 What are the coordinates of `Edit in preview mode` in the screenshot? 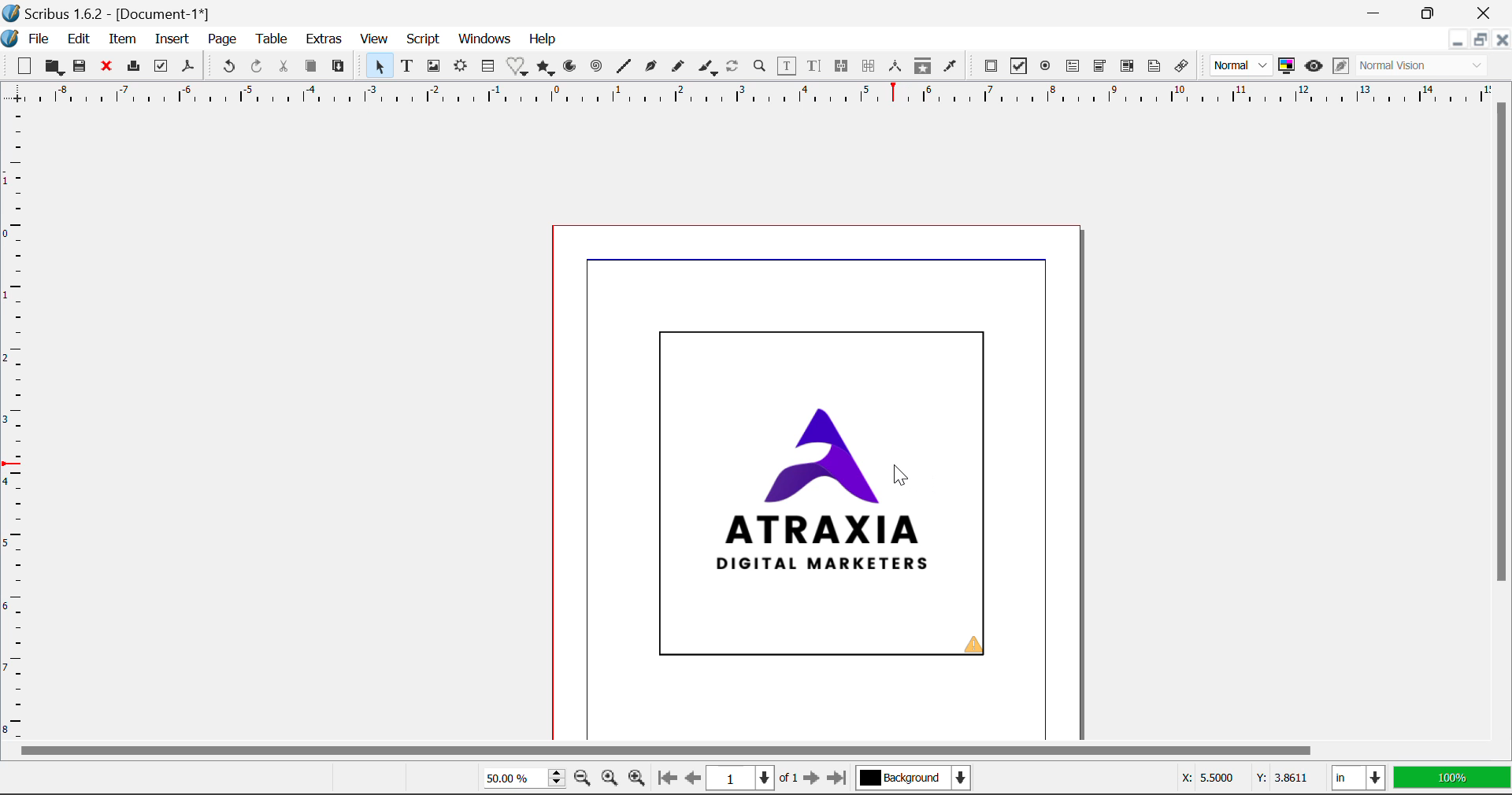 It's located at (1341, 68).